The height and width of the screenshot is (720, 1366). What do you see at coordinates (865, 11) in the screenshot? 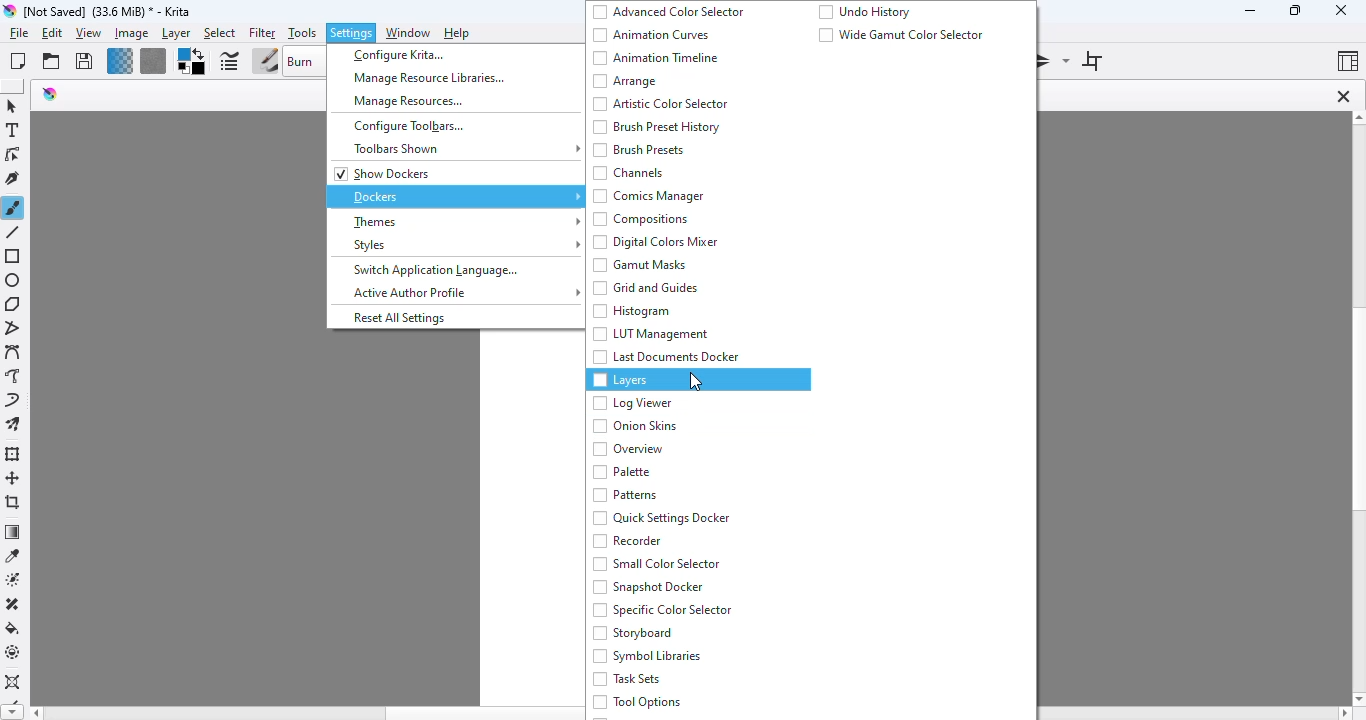
I see `undo history` at bounding box center [865, 11].